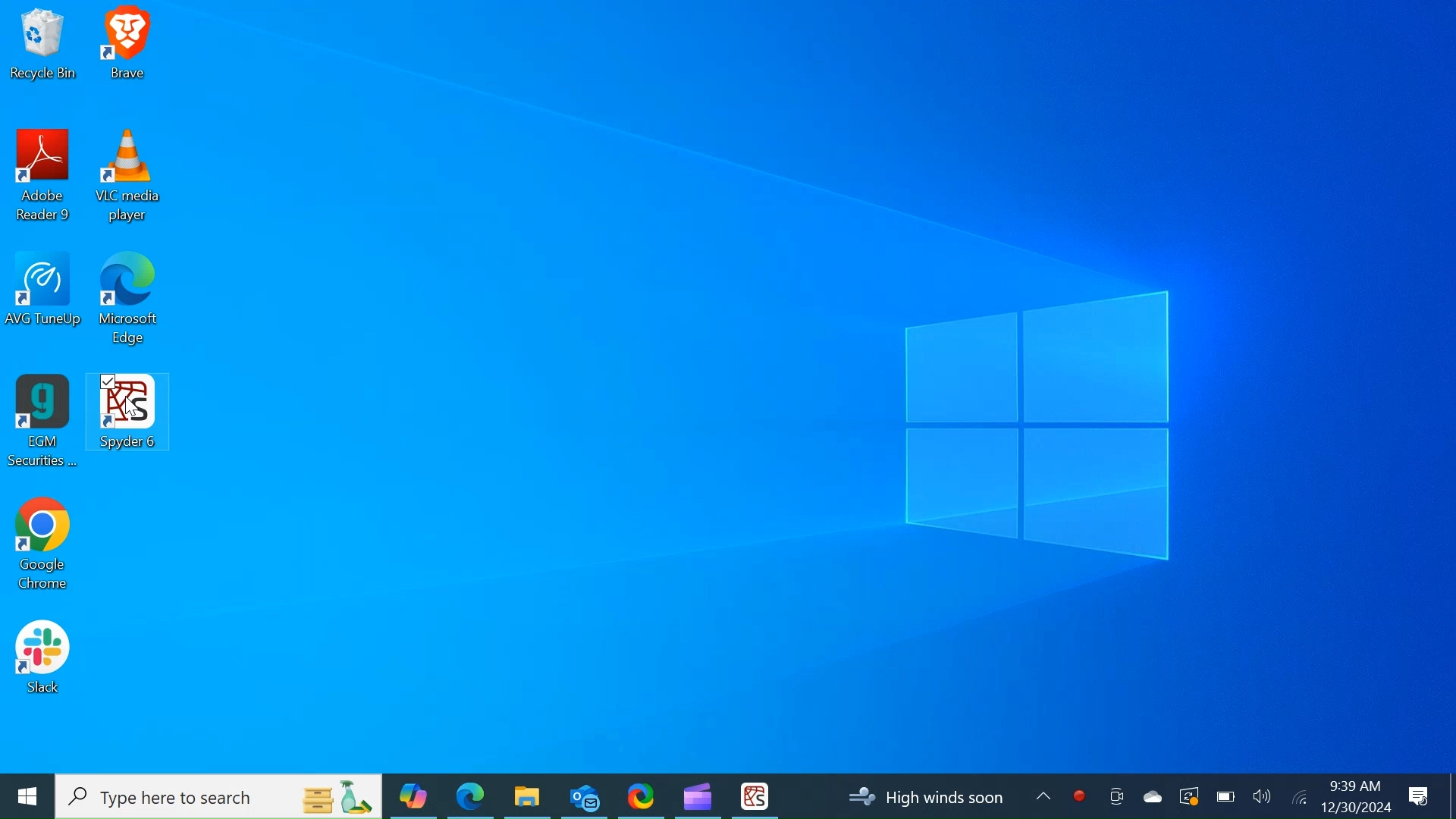 The image size is (1456, 819). I want to click on Internet Connectivity, so click(1298, 795).